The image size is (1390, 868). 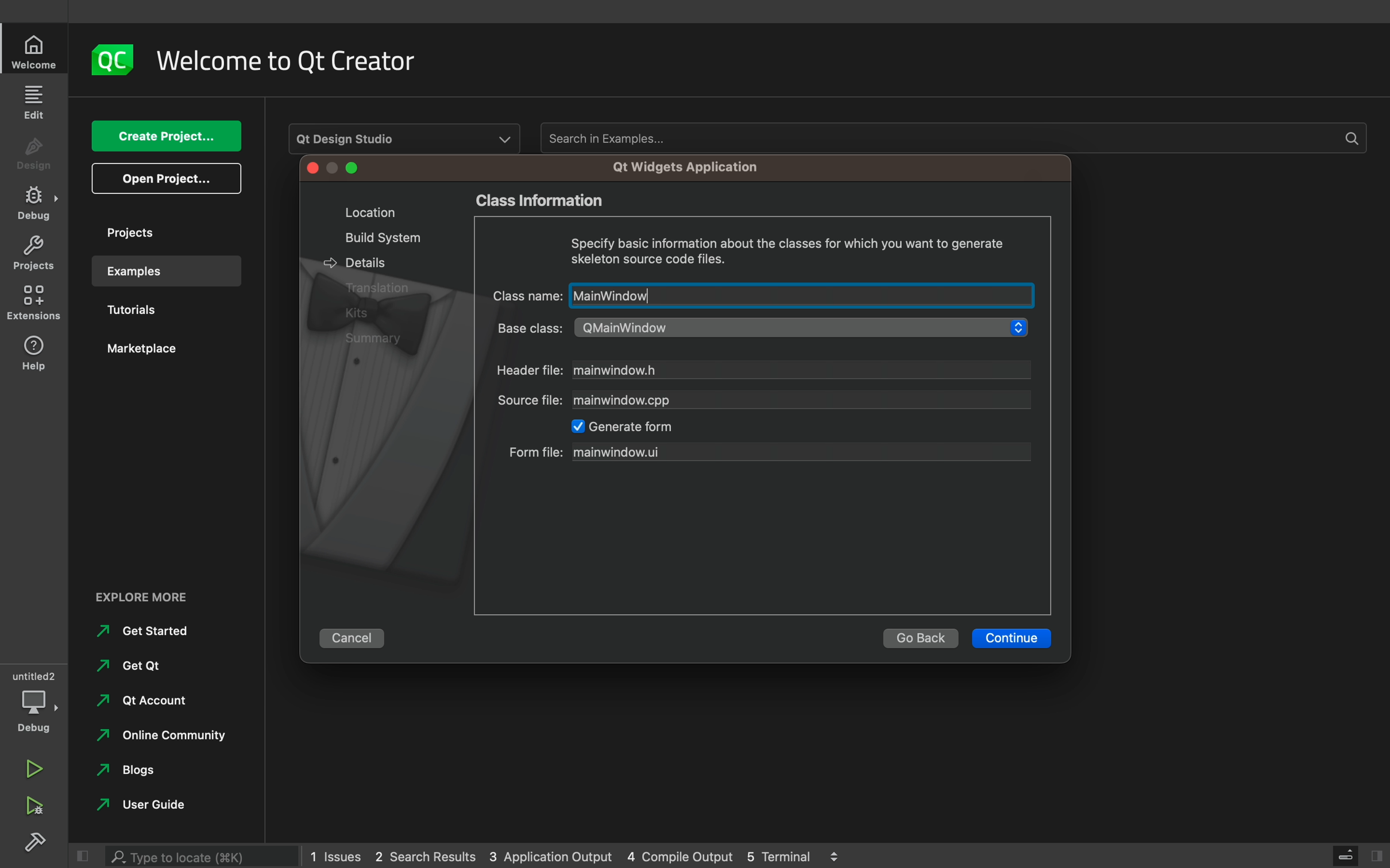 I want to click on marketplace, so click(x=159, y=354).